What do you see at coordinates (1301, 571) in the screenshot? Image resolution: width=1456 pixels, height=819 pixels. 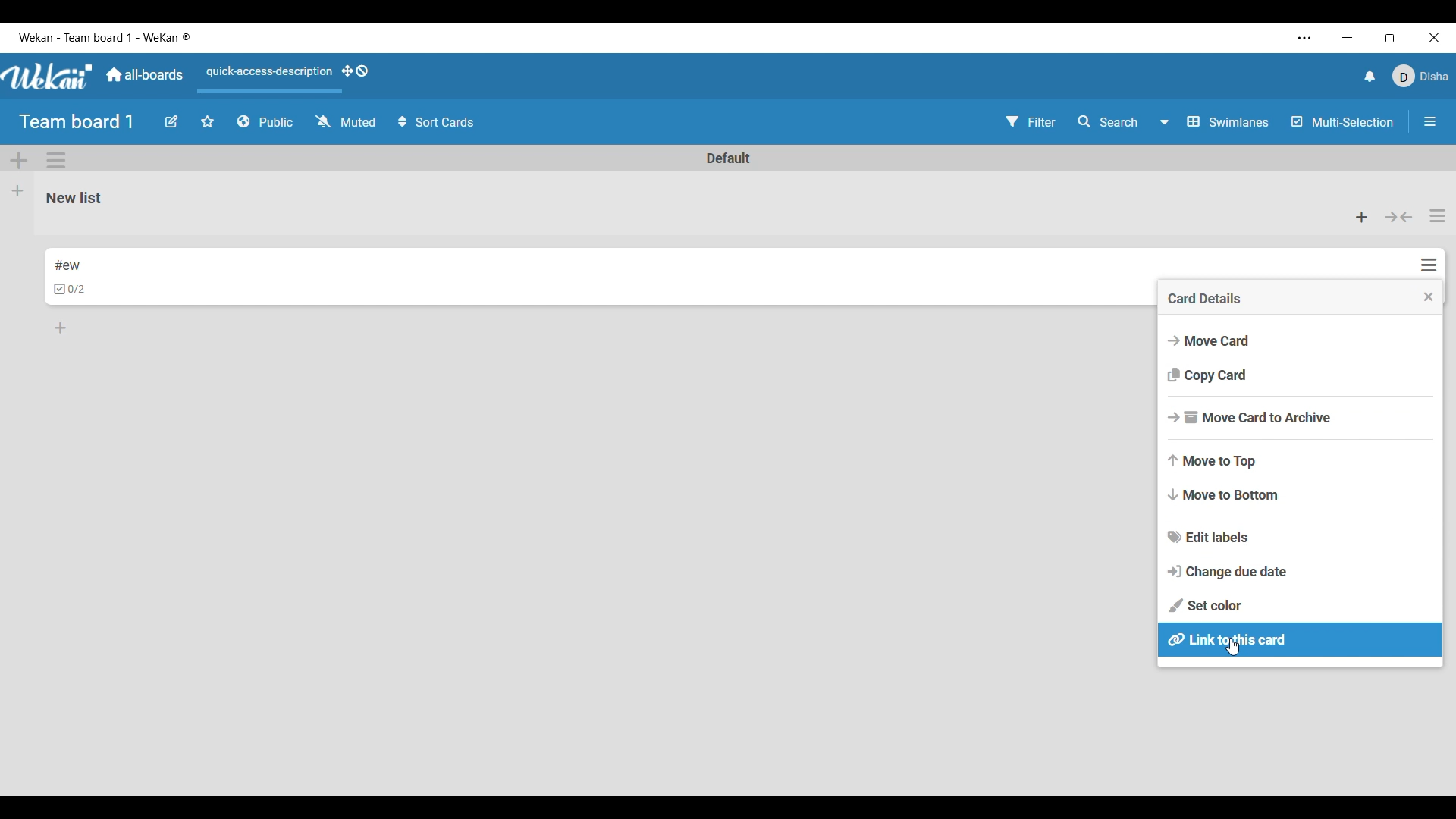 I see `Change due date` at bounding box center [1301, 571].